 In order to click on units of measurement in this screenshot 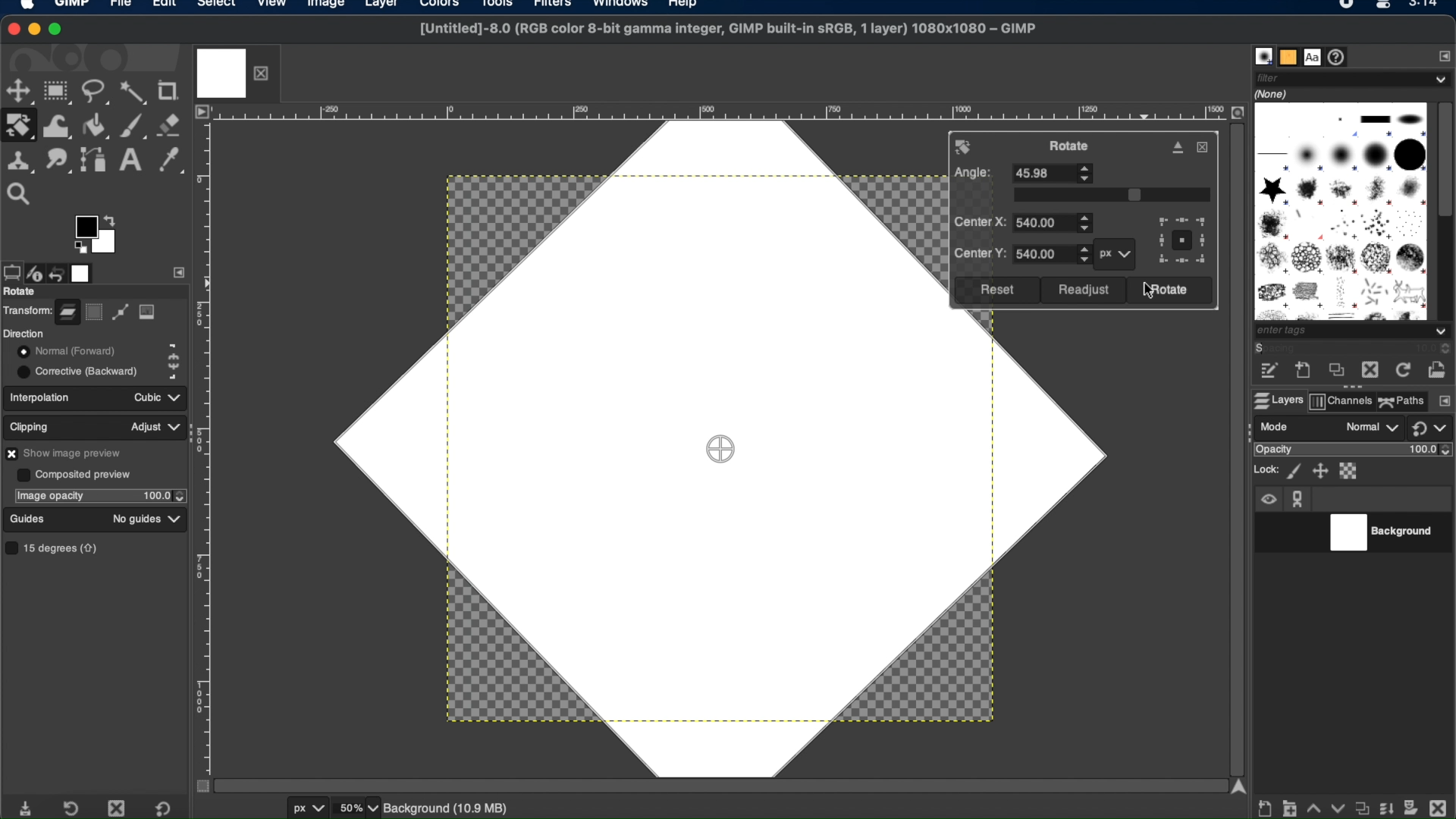, I will do `click(310, 809)`.